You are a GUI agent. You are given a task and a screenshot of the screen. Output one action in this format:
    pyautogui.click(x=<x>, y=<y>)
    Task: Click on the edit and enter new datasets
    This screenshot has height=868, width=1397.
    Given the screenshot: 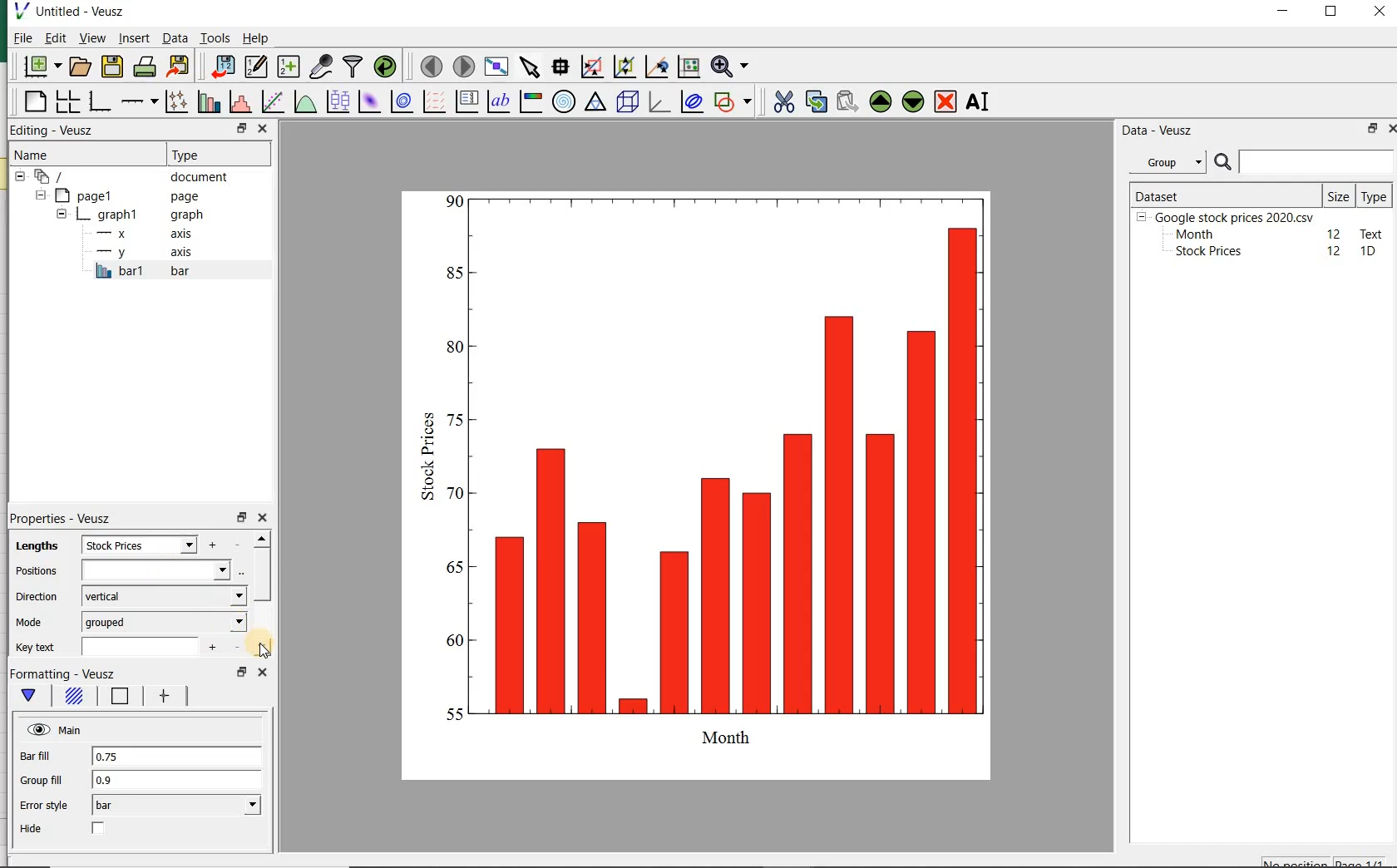 What is the action you would take?
    pyautogui.click(x=255, y=67)
    